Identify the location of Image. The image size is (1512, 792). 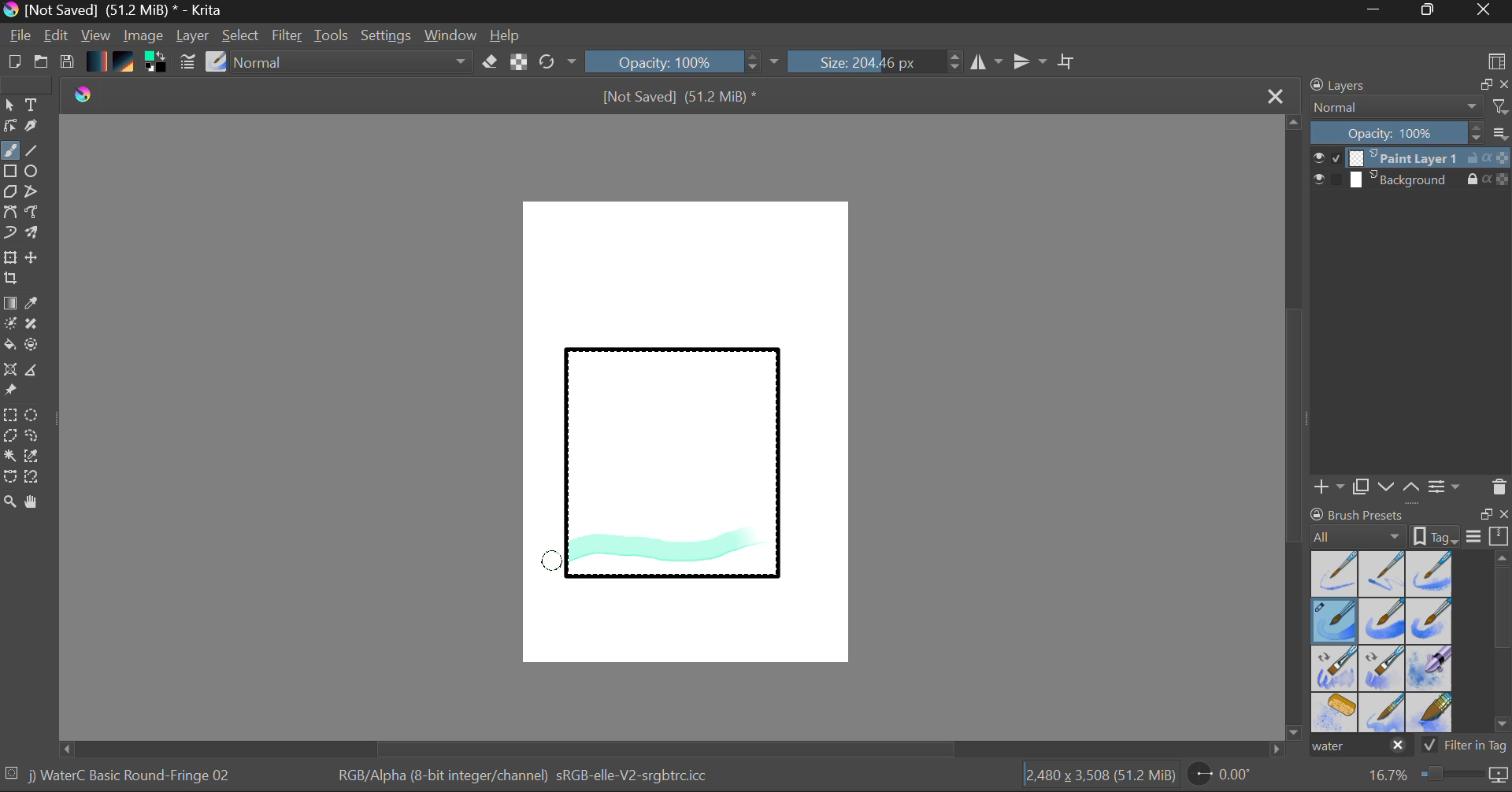
(145, 37).